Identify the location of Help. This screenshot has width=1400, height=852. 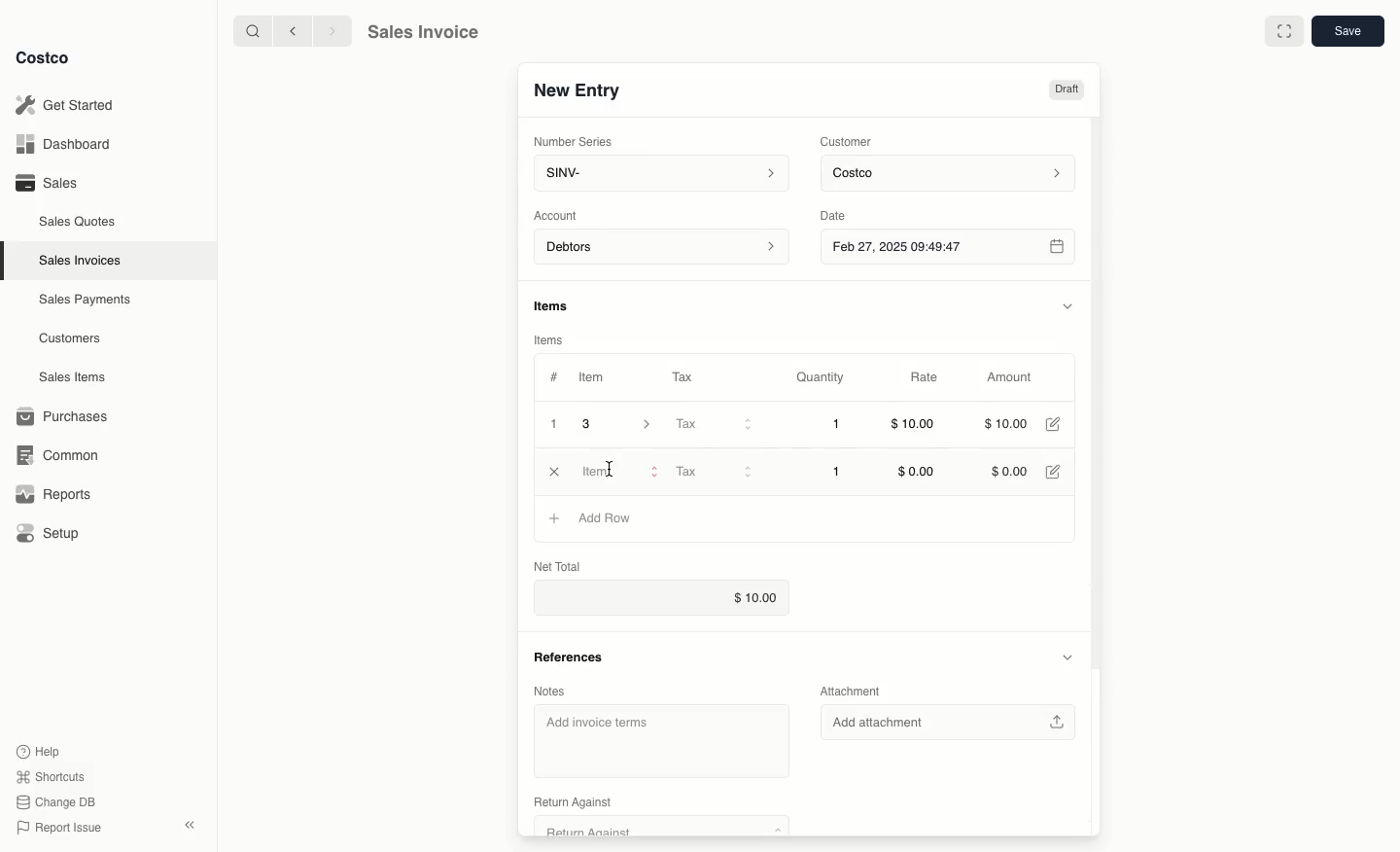
(40, 750).